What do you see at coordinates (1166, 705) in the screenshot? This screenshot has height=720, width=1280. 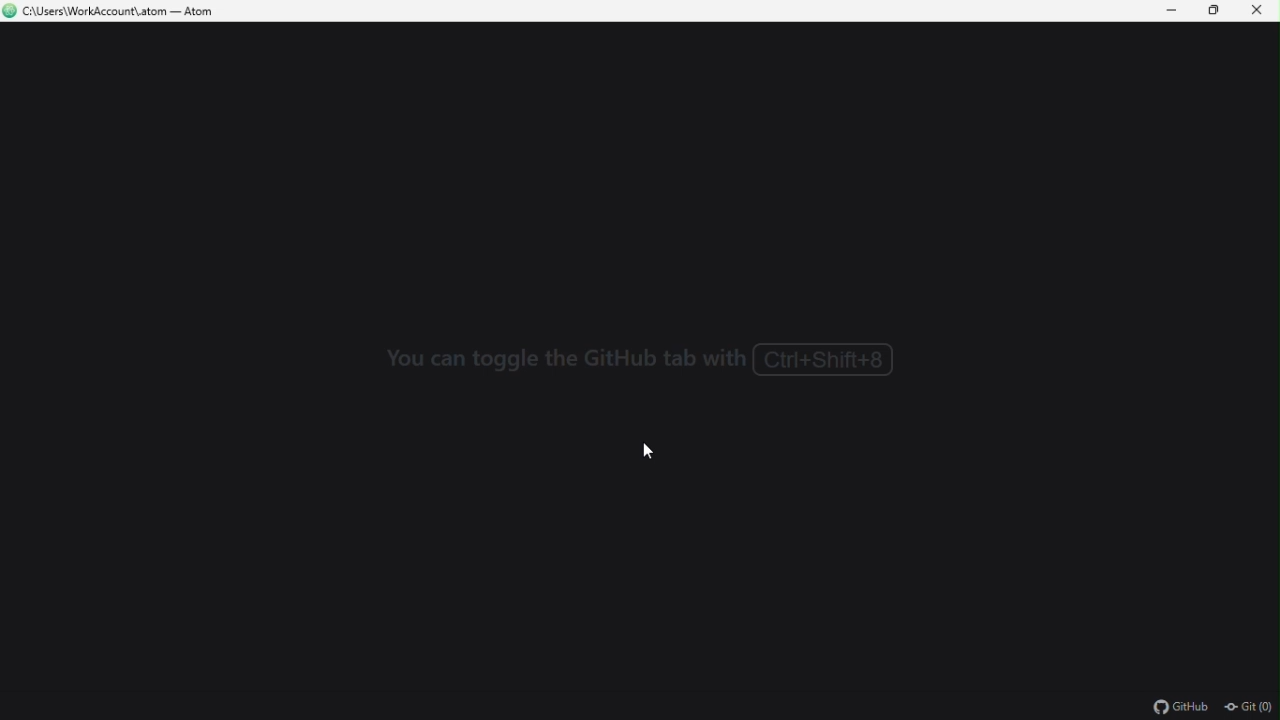 I see `GitHub` at bounding box center [1166, 705].